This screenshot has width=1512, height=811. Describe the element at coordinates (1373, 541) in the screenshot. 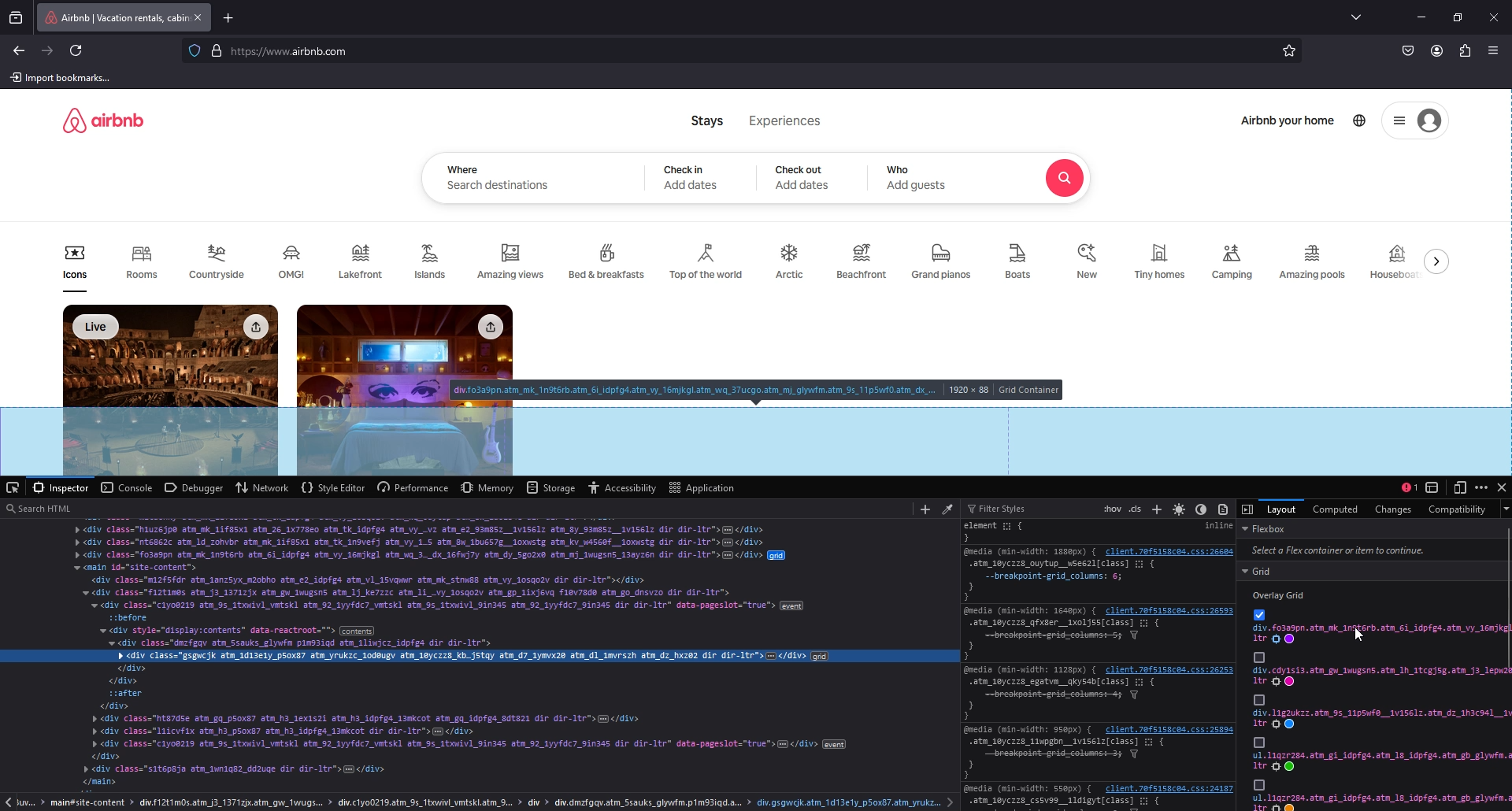

I see `flexbox css` at that location.